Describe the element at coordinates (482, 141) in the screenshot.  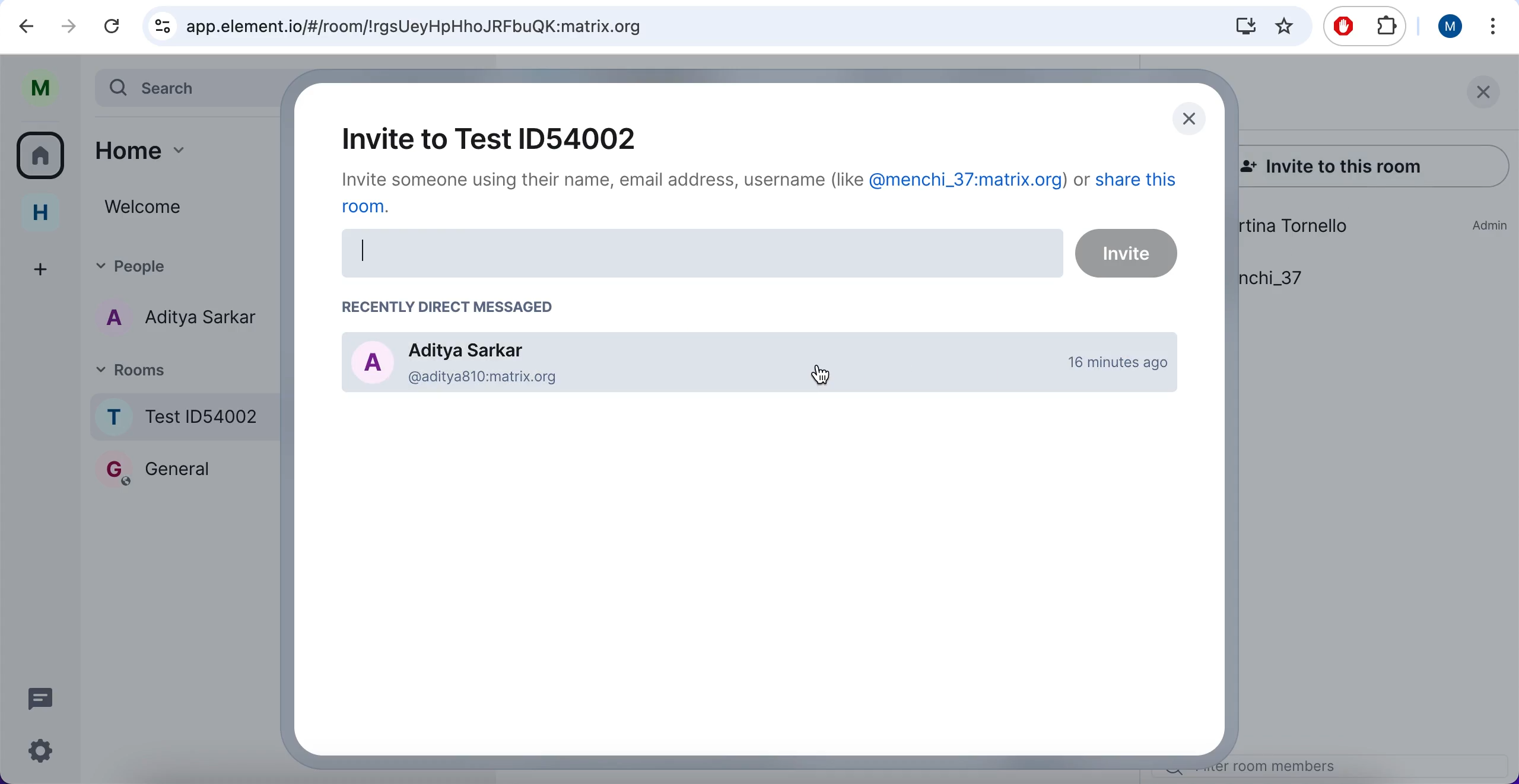
I see `invite to room` at that location.